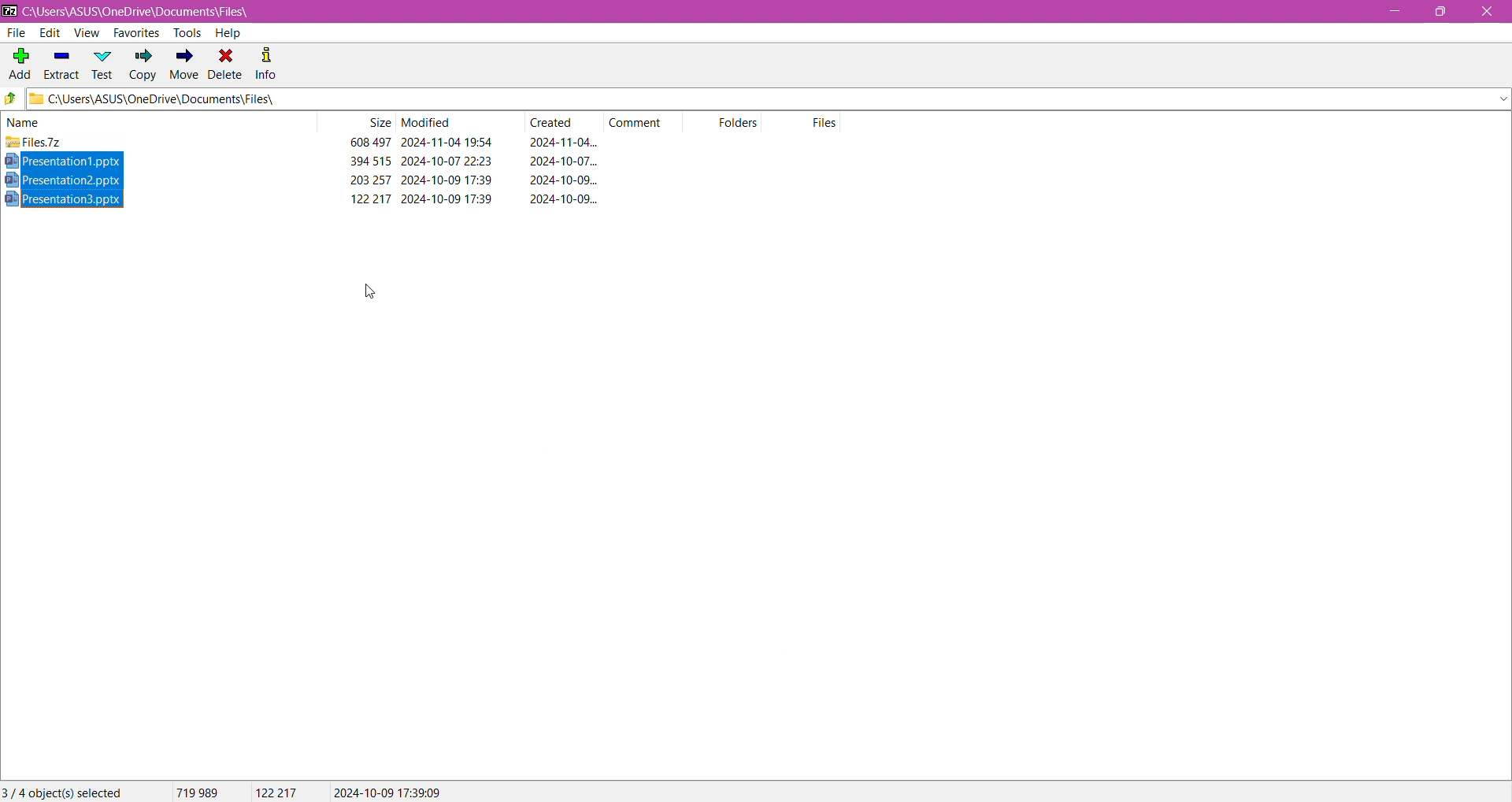 Image resolution: width=1512 pixels, height=802 pixels. What do you see at coordinates (19, 59) in the screenshot?
I see `Add` at bounding box center [19, 59].